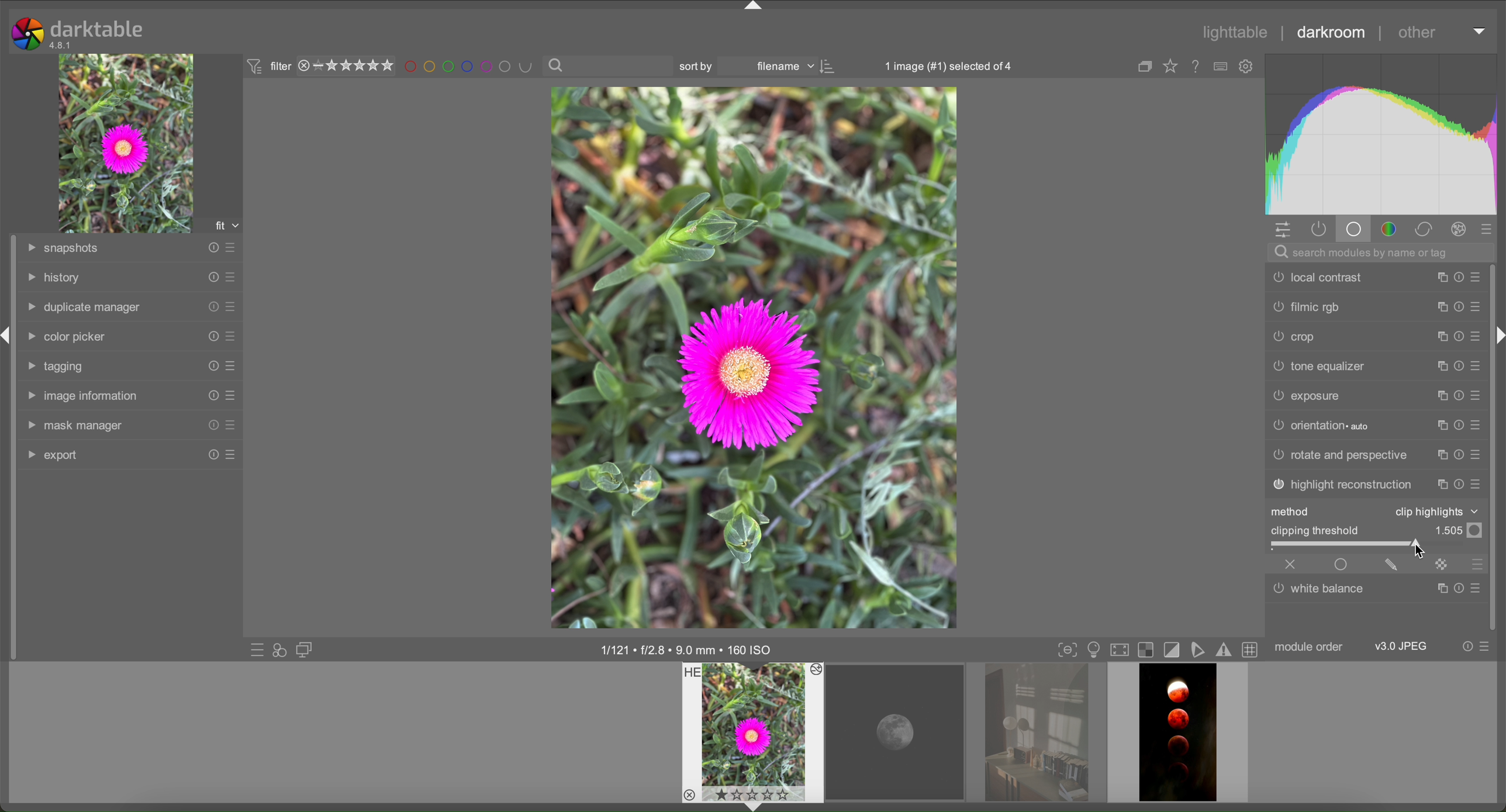 The width and height of the screenshot is (1506, 812). I want to click on display mode, so click(1093, 650).